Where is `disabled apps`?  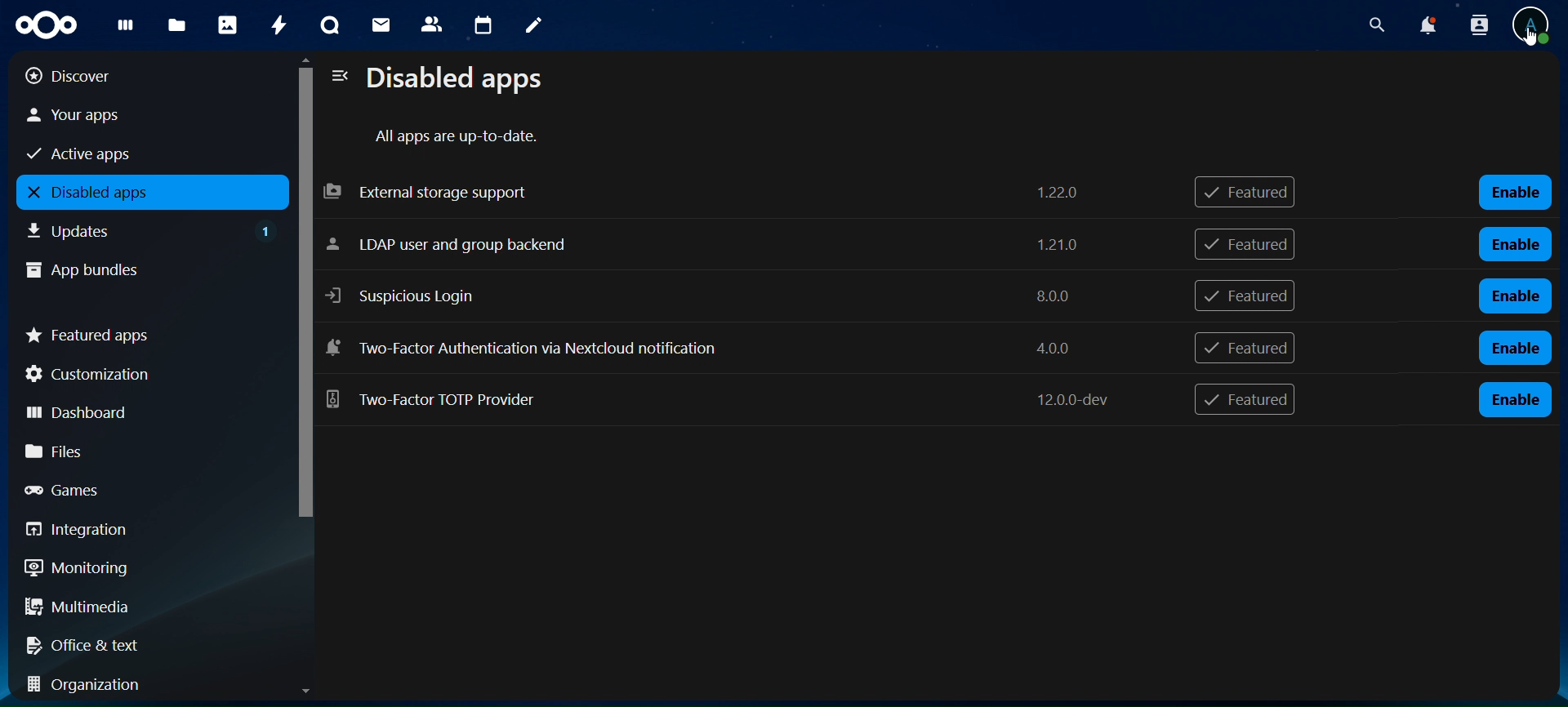
disabled apps is located at coordinates (462, 80).